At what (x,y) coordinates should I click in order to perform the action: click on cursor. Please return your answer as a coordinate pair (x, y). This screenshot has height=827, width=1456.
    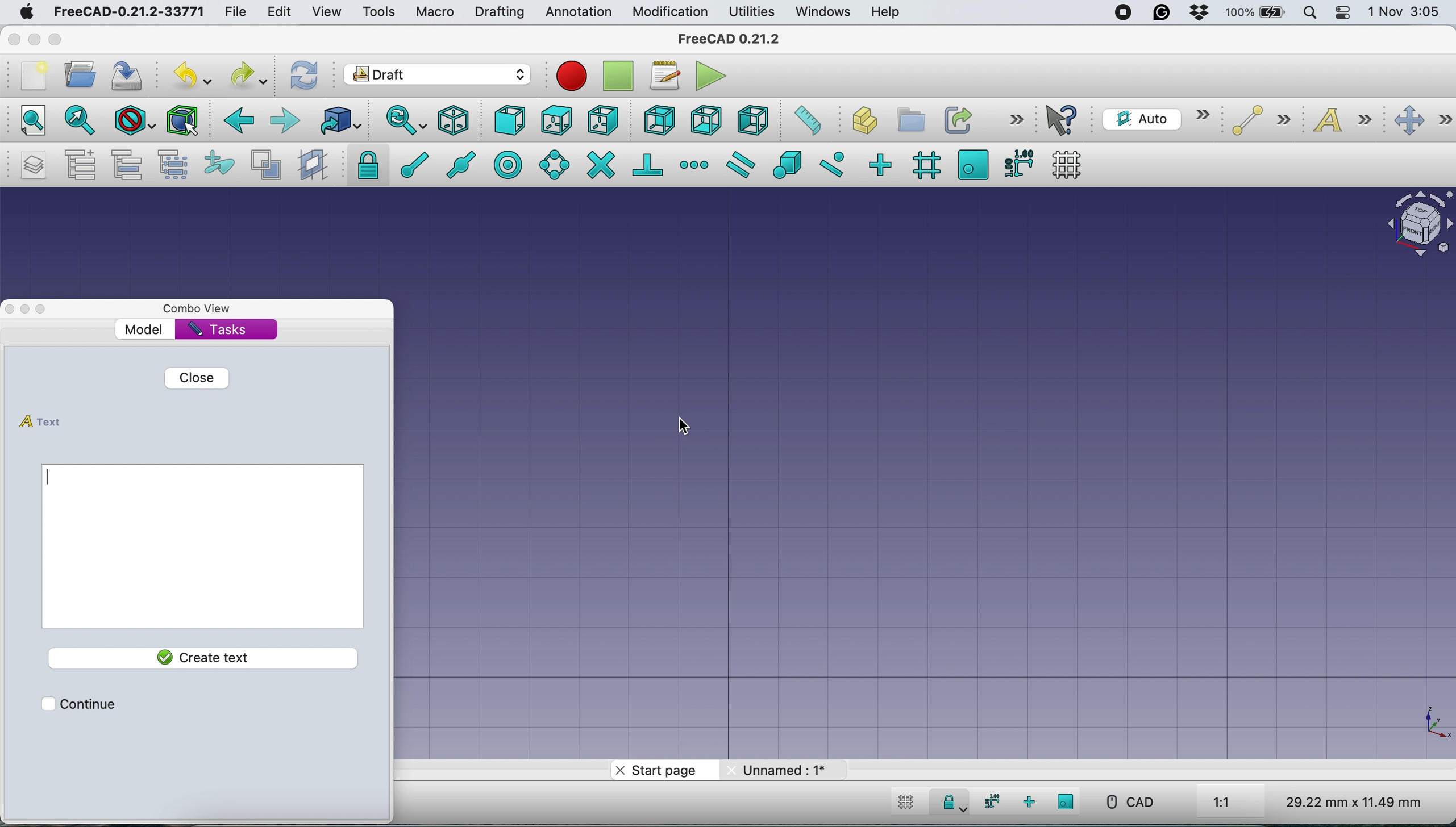
    Looking at the image, I should click on (693, 427).